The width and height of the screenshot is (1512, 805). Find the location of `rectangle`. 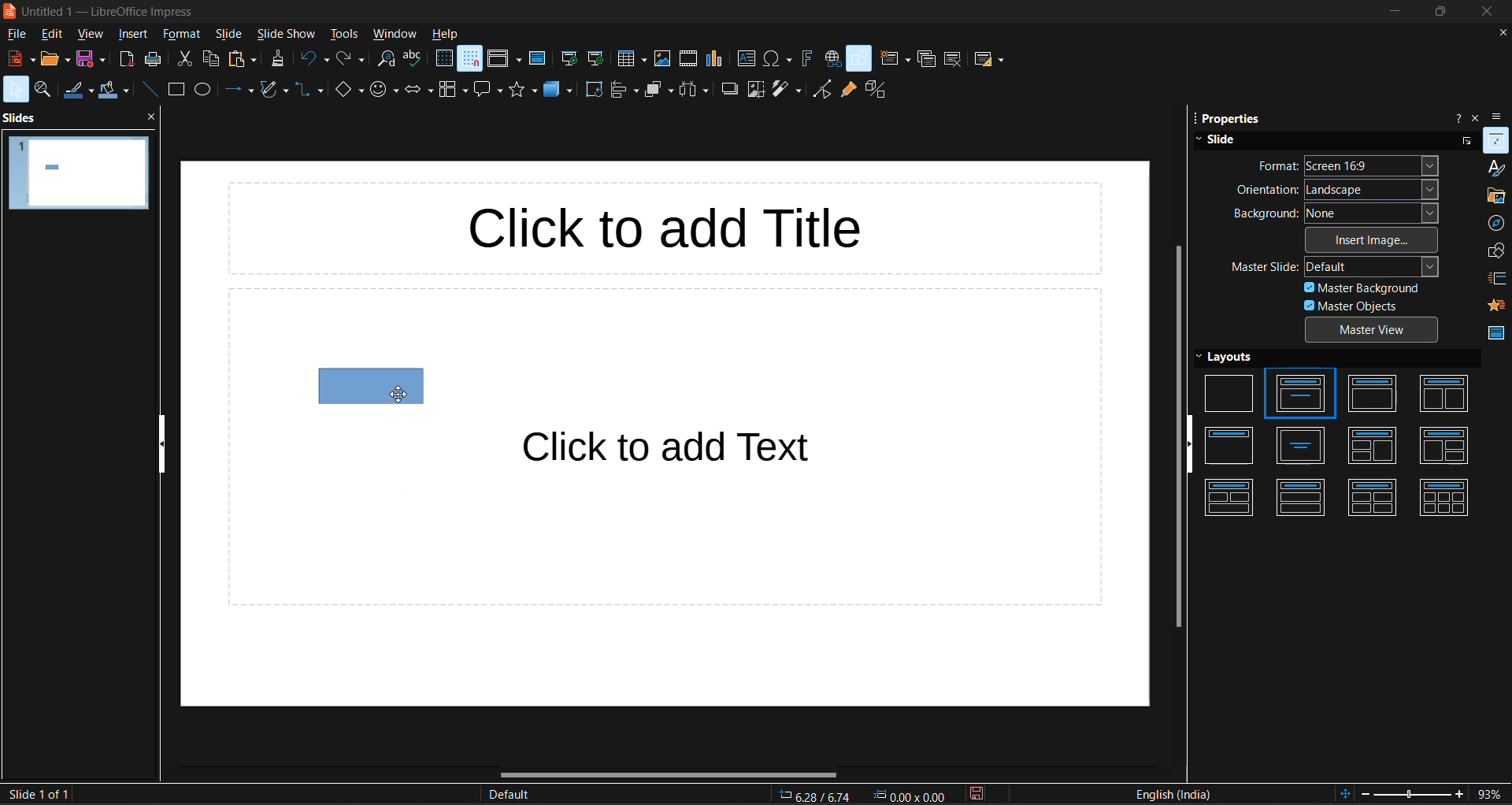

rectangle is located at coordinates (175, 89).